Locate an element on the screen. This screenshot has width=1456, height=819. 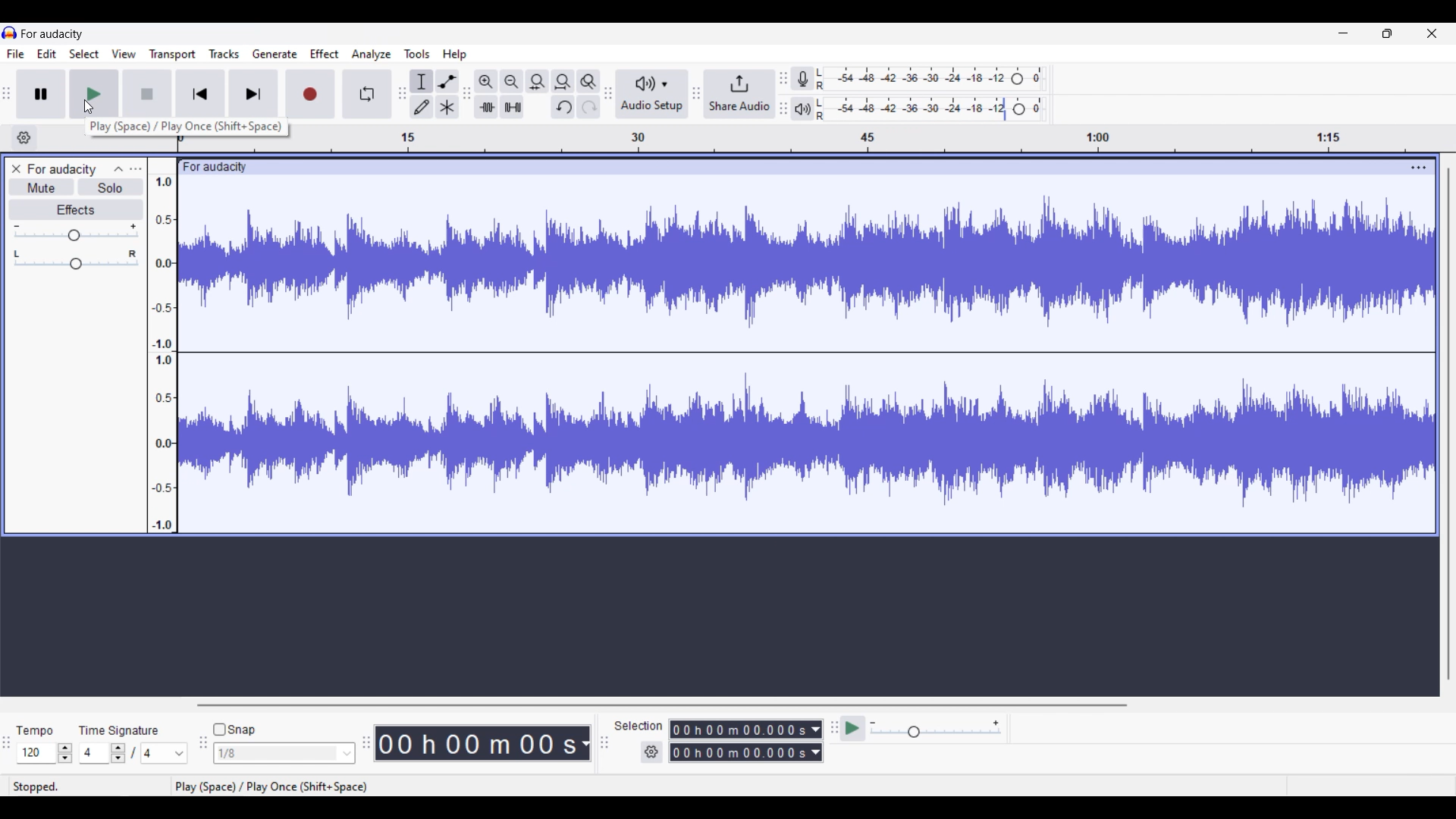
Vertical slide bar is located at coordinates (1449, 425).